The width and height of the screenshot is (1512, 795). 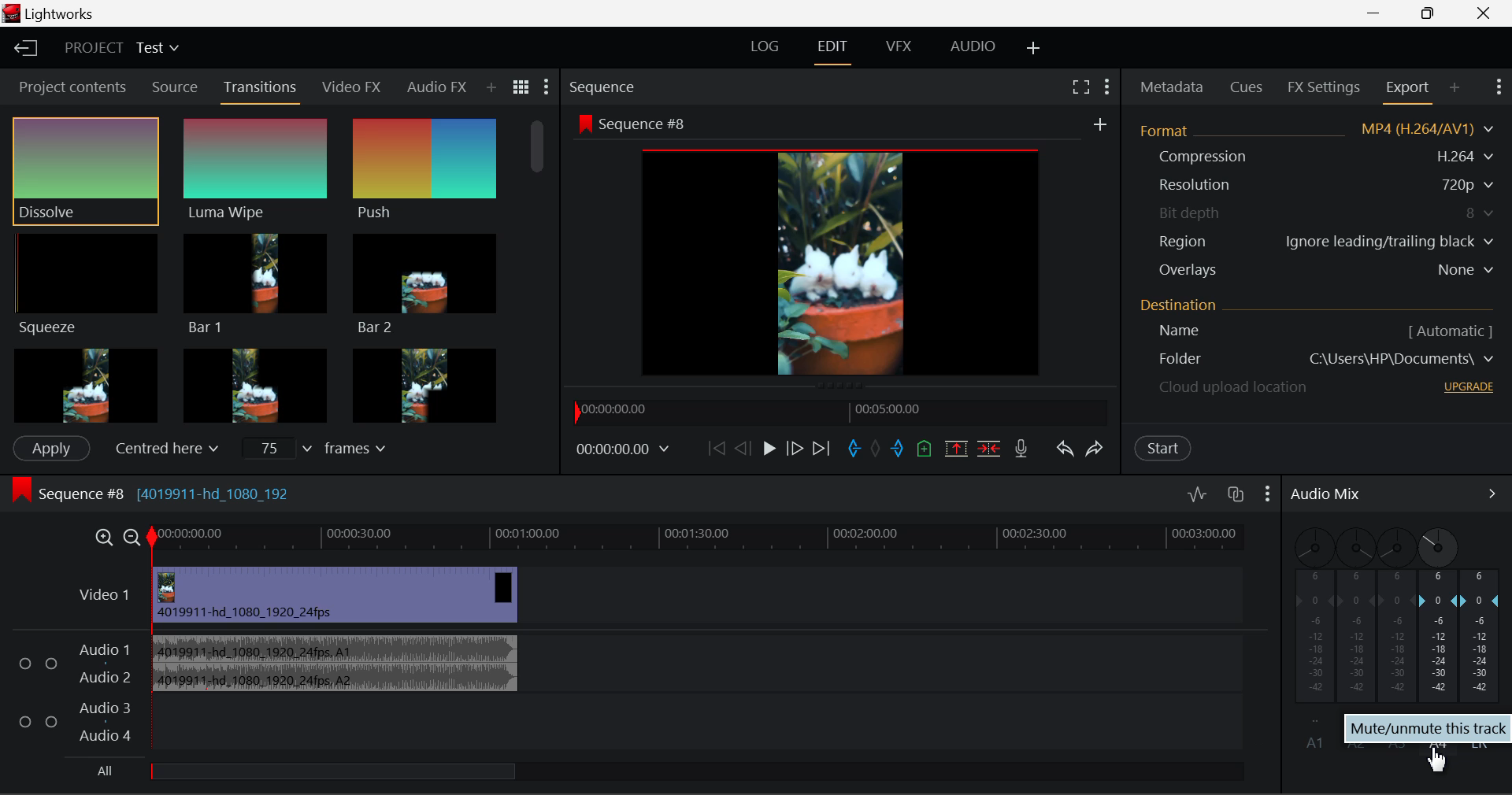 I want to click on Sequence, so click(x=610, y=86).